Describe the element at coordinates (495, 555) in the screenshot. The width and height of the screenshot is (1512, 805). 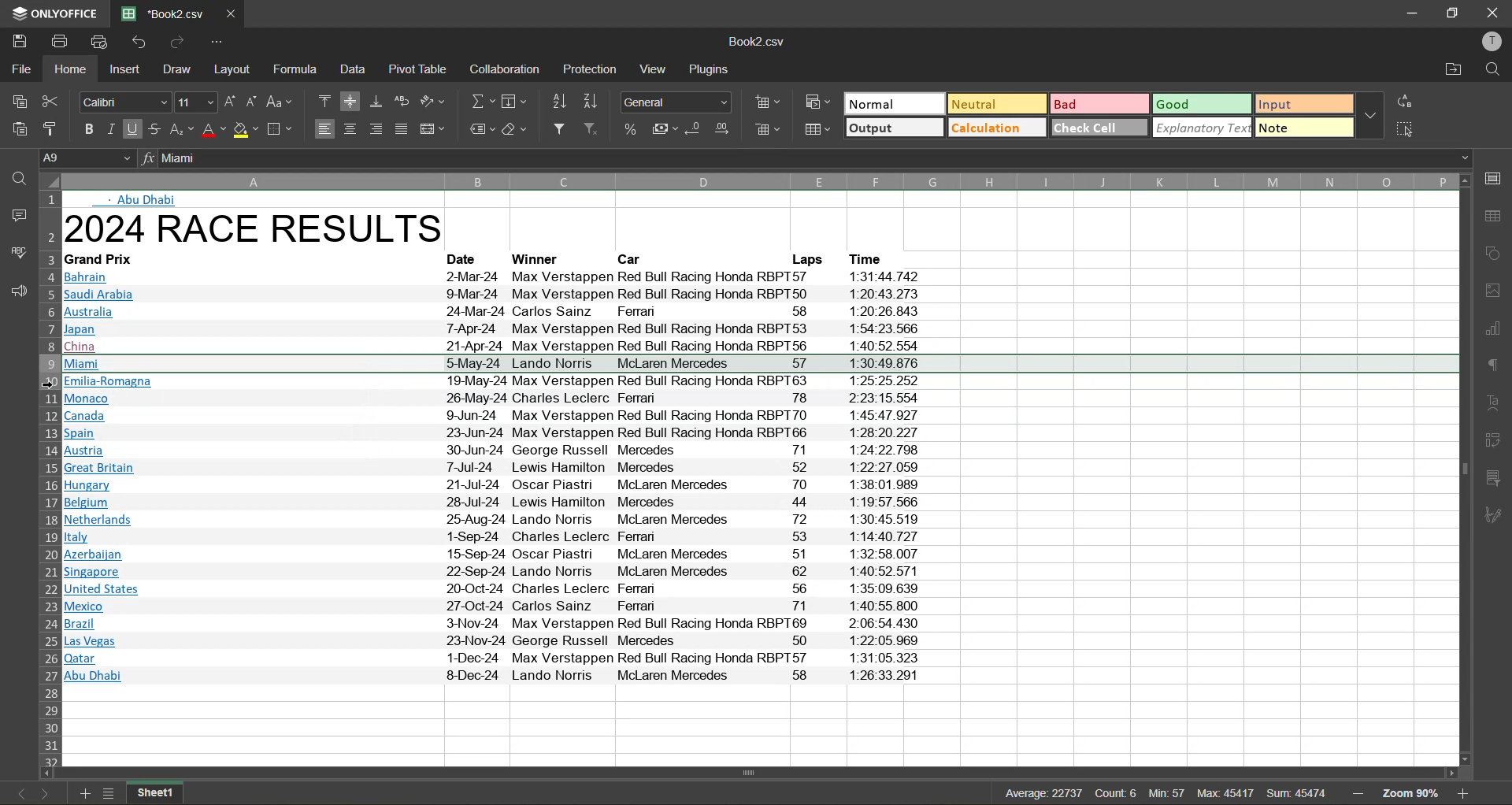
I see `Azerbaijan 15-Sep-24 Oscar Piastri McLaren Mercedes 51 1:32:58.007` at that location.